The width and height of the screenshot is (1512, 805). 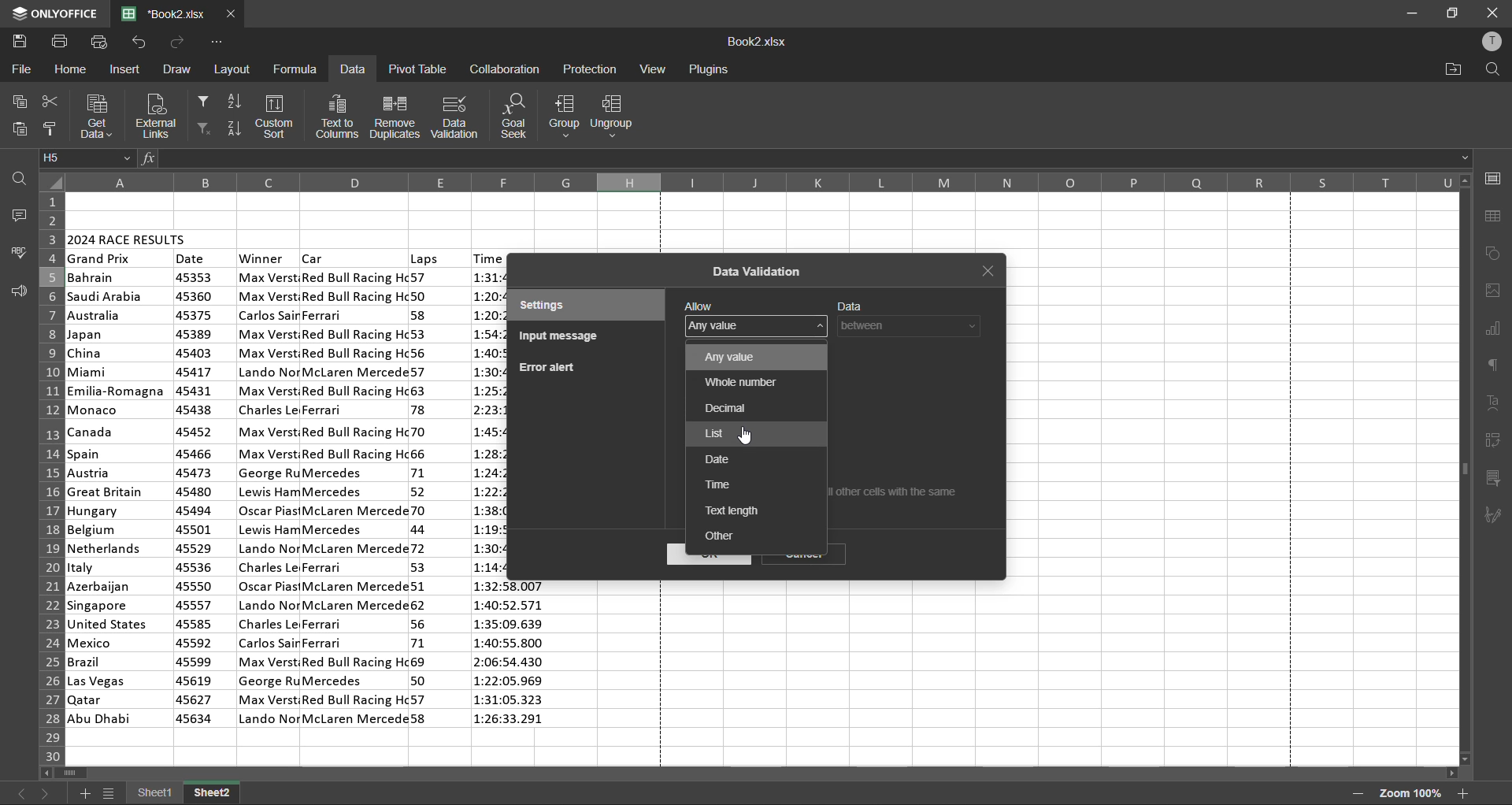 I want to click on close tab, so click(x=232, y=14).